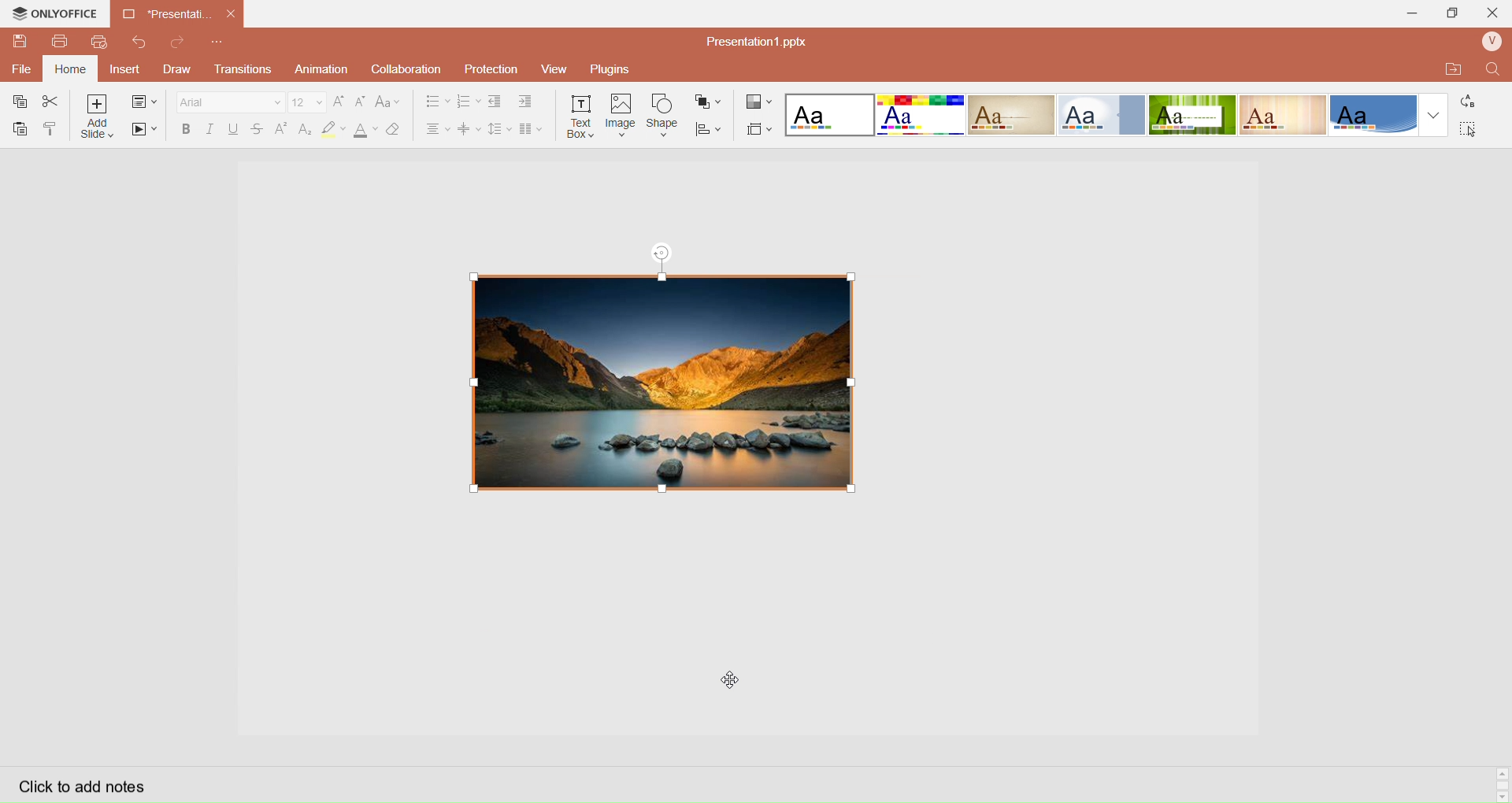  Describe the element at coordinates (323, 70) in the screenshot. I see `Animation` at that location.